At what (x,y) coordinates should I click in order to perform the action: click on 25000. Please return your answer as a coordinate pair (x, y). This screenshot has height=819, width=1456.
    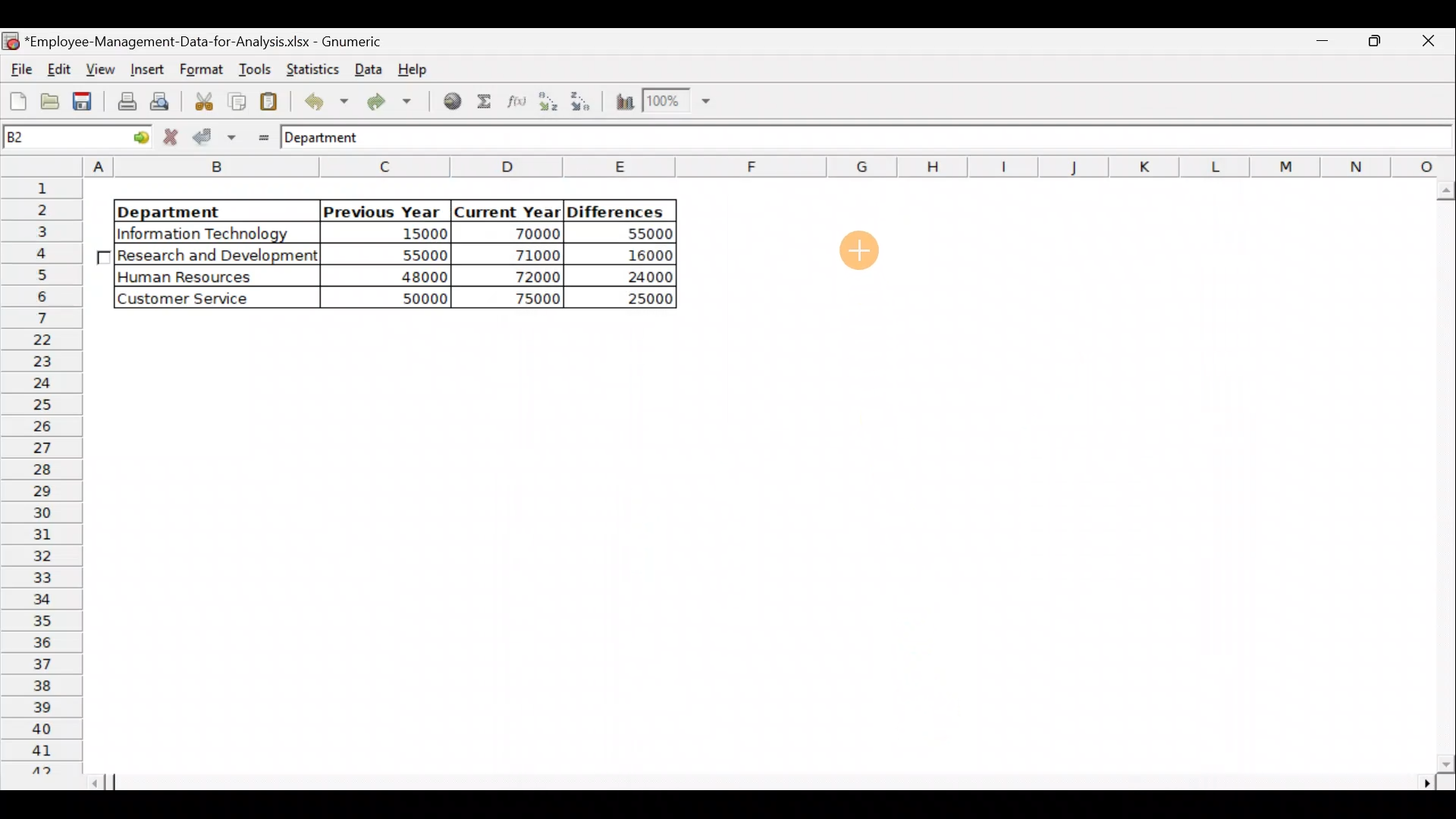
    Looking at the image, I should click on (632, 300).